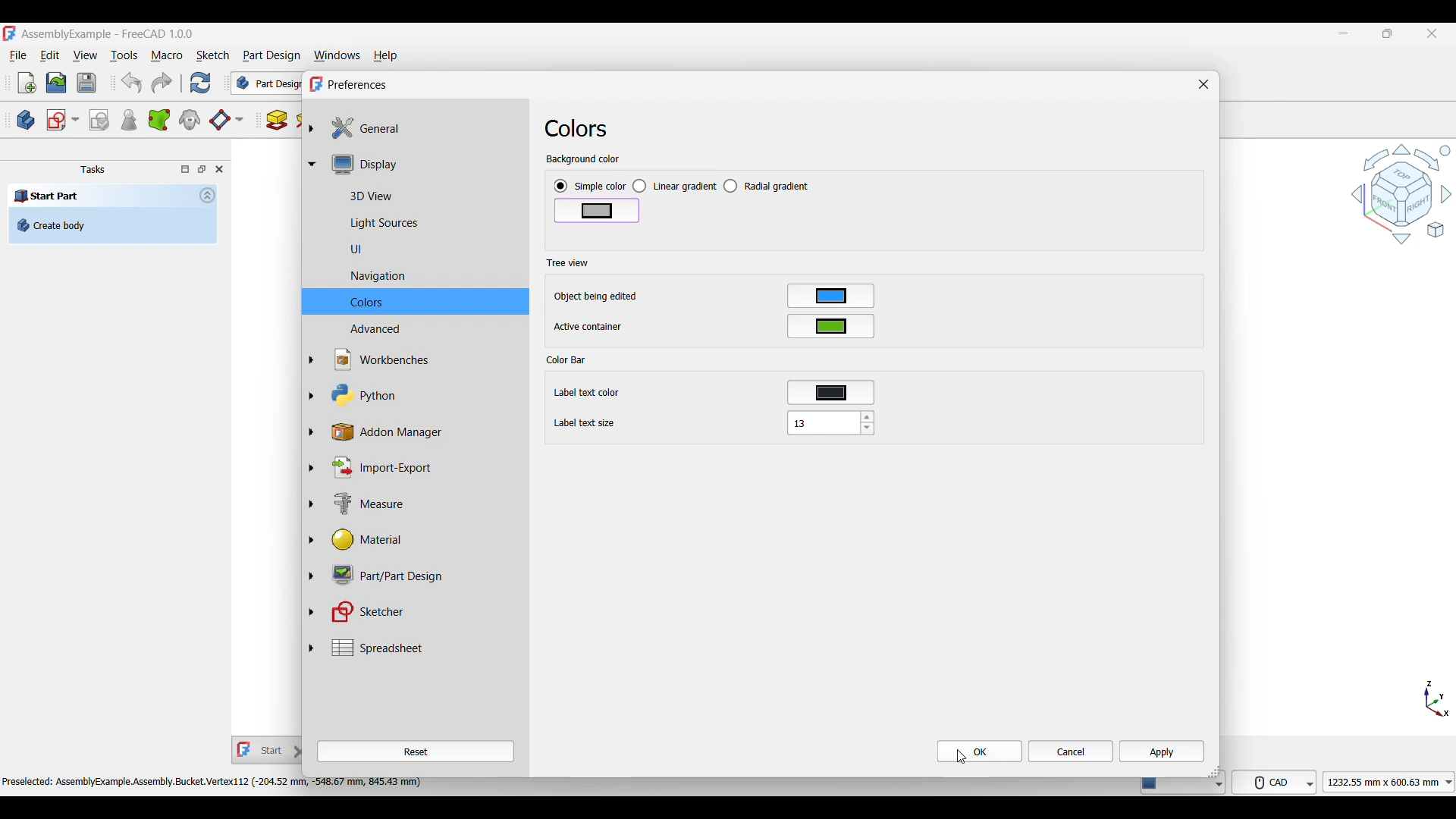 The height and width of the screenshot is (819, 1456). Describe the element at coordinates (386, 56) in the screenshot. I see `Help menu` at that location.